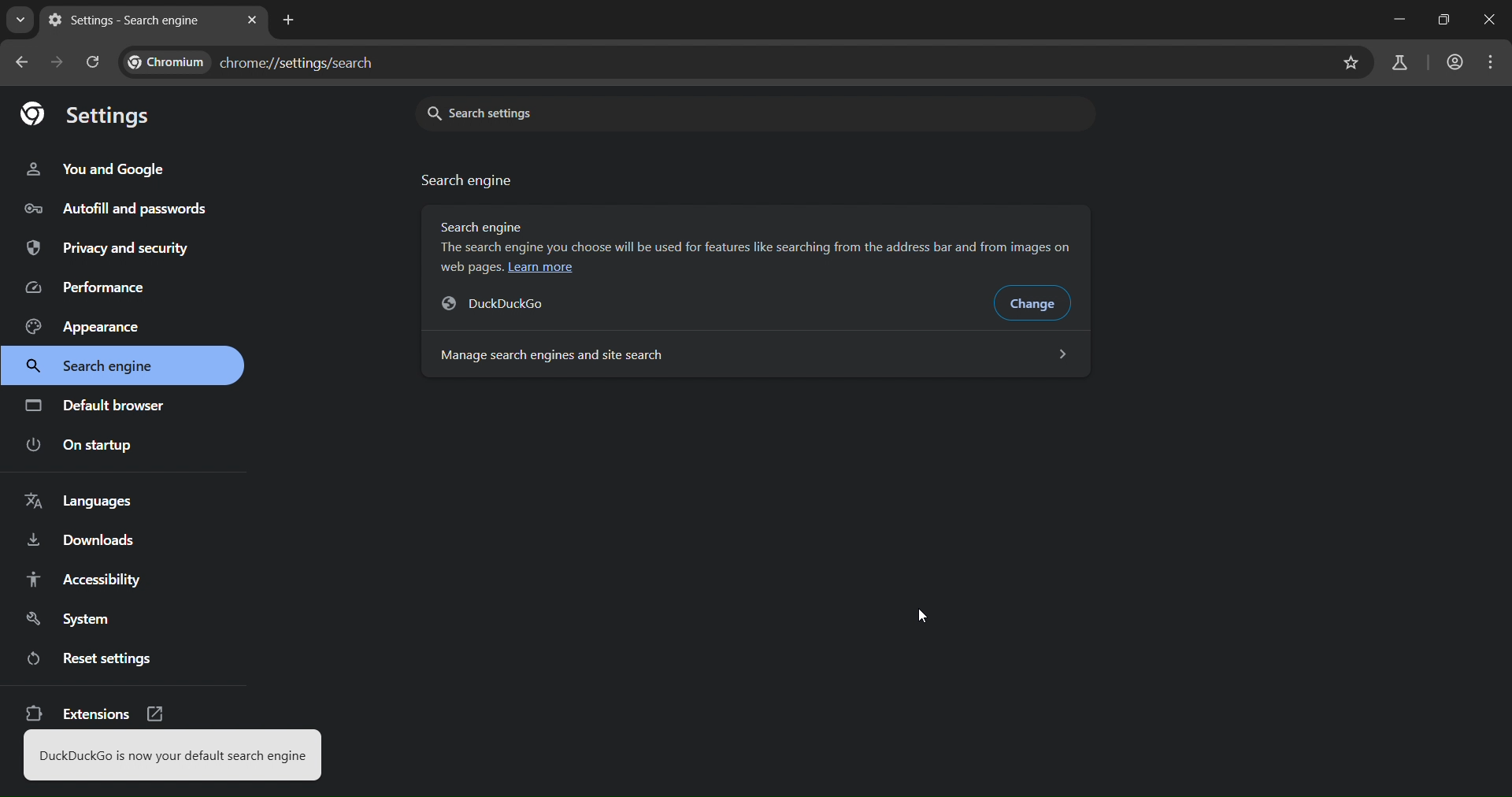 The height and width of the screenshot is (797, 1512). What do you see at coordinates (107, 250) in the screenshot?
I see `privacy & security` at bounding box center [107, 250].